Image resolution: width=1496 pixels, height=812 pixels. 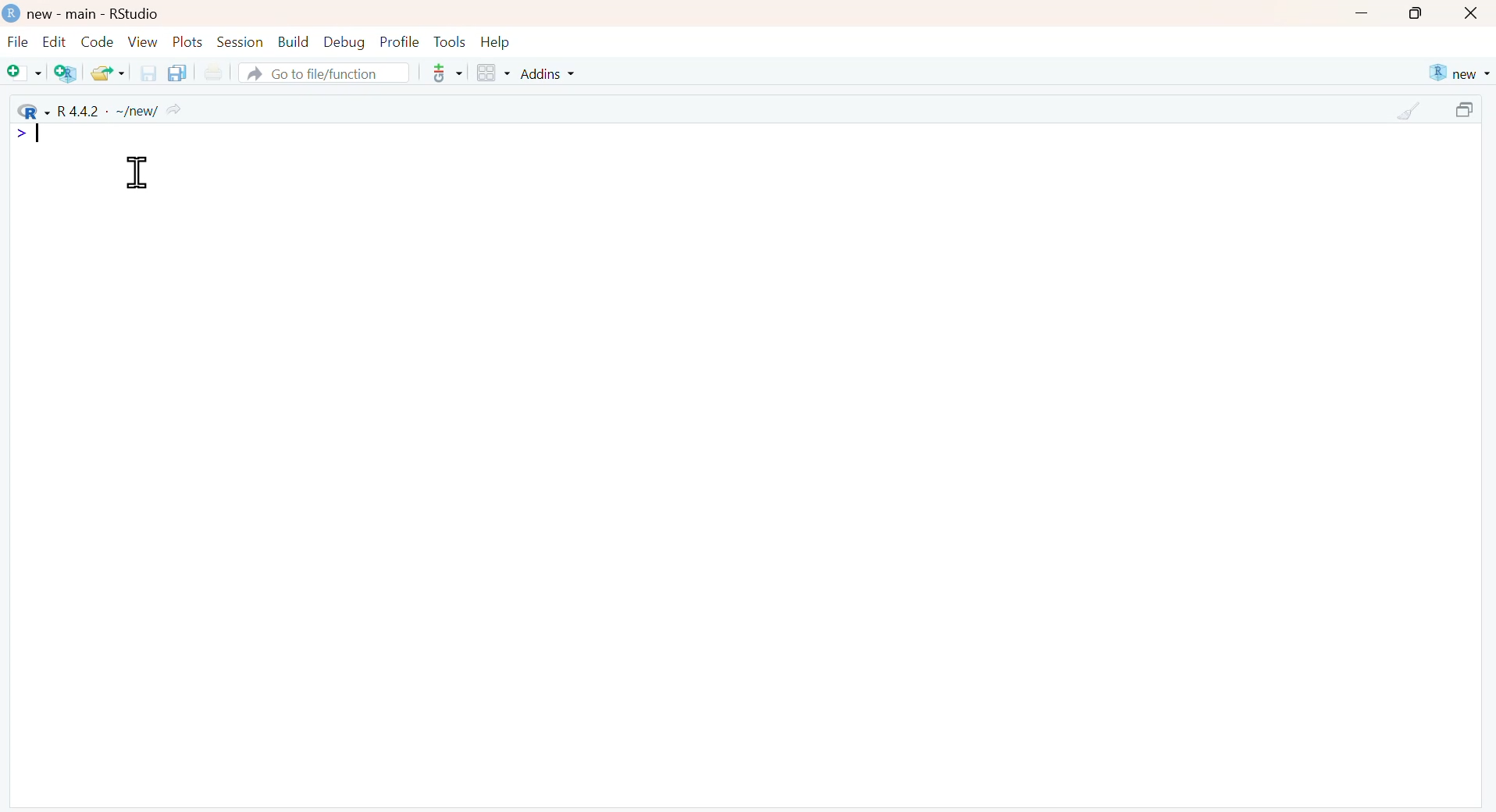 What do you see at coordinates (400, 41) in the screenshot?
I see `Profile` at bounding box center [400, 41].